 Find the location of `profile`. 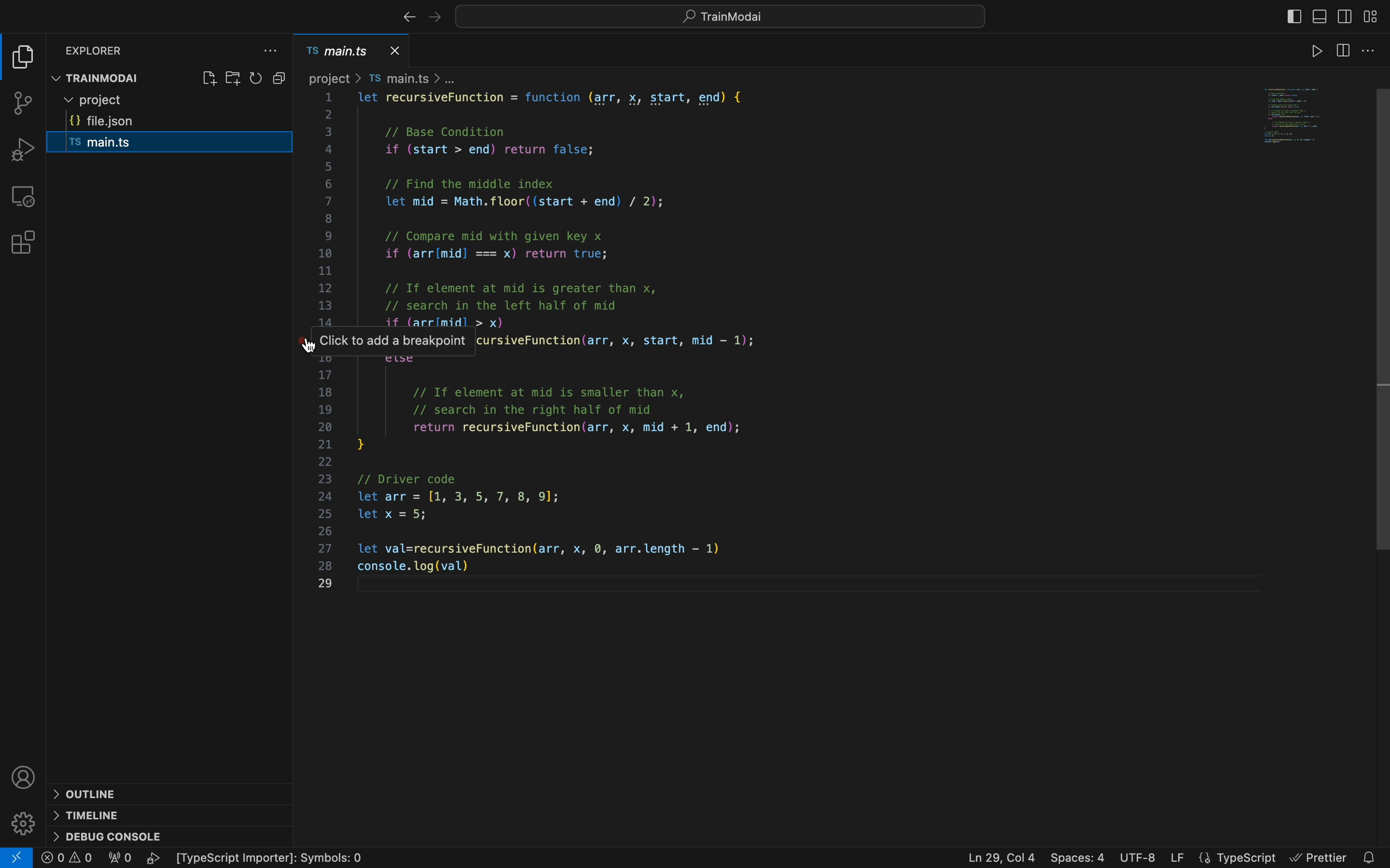

profile is located at coordinates (25, 779).